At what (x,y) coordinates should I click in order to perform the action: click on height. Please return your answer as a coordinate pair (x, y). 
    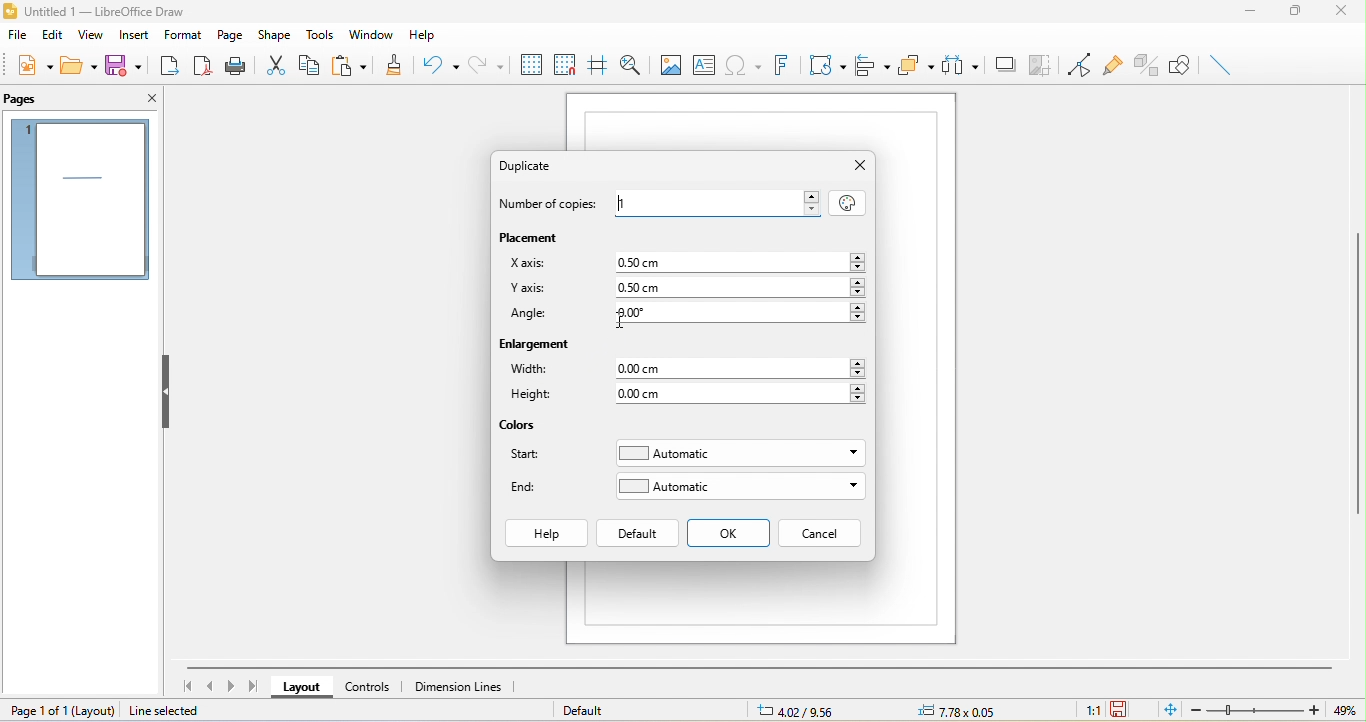
    Looking at the image, I should click on (538, 397).